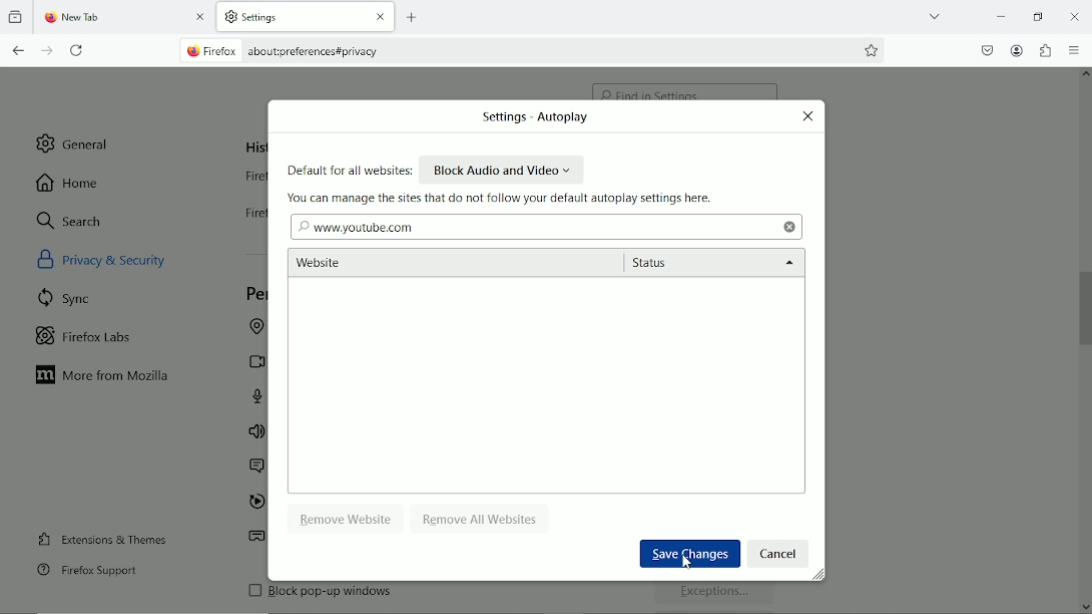 The width and height of the screenshot is (1092, 614). I want to click on scroll down, so click(1084, 603).